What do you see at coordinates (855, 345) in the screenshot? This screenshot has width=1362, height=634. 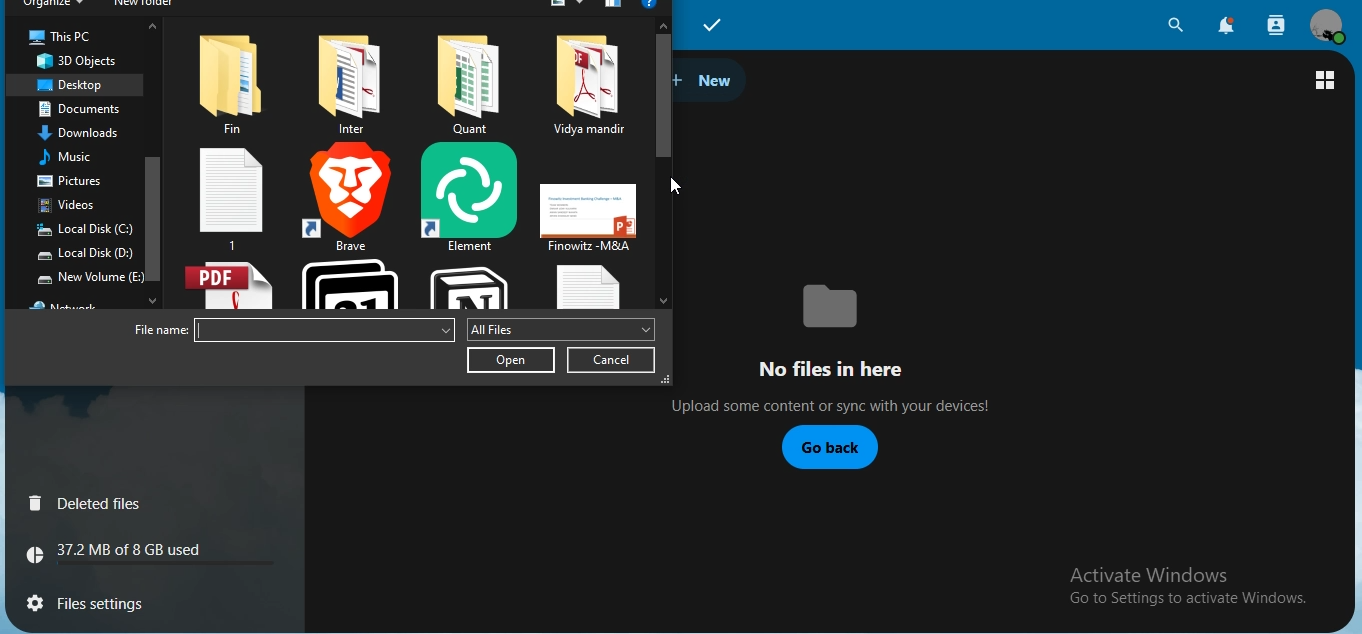 I see `text` at bounding box center [855, 345].